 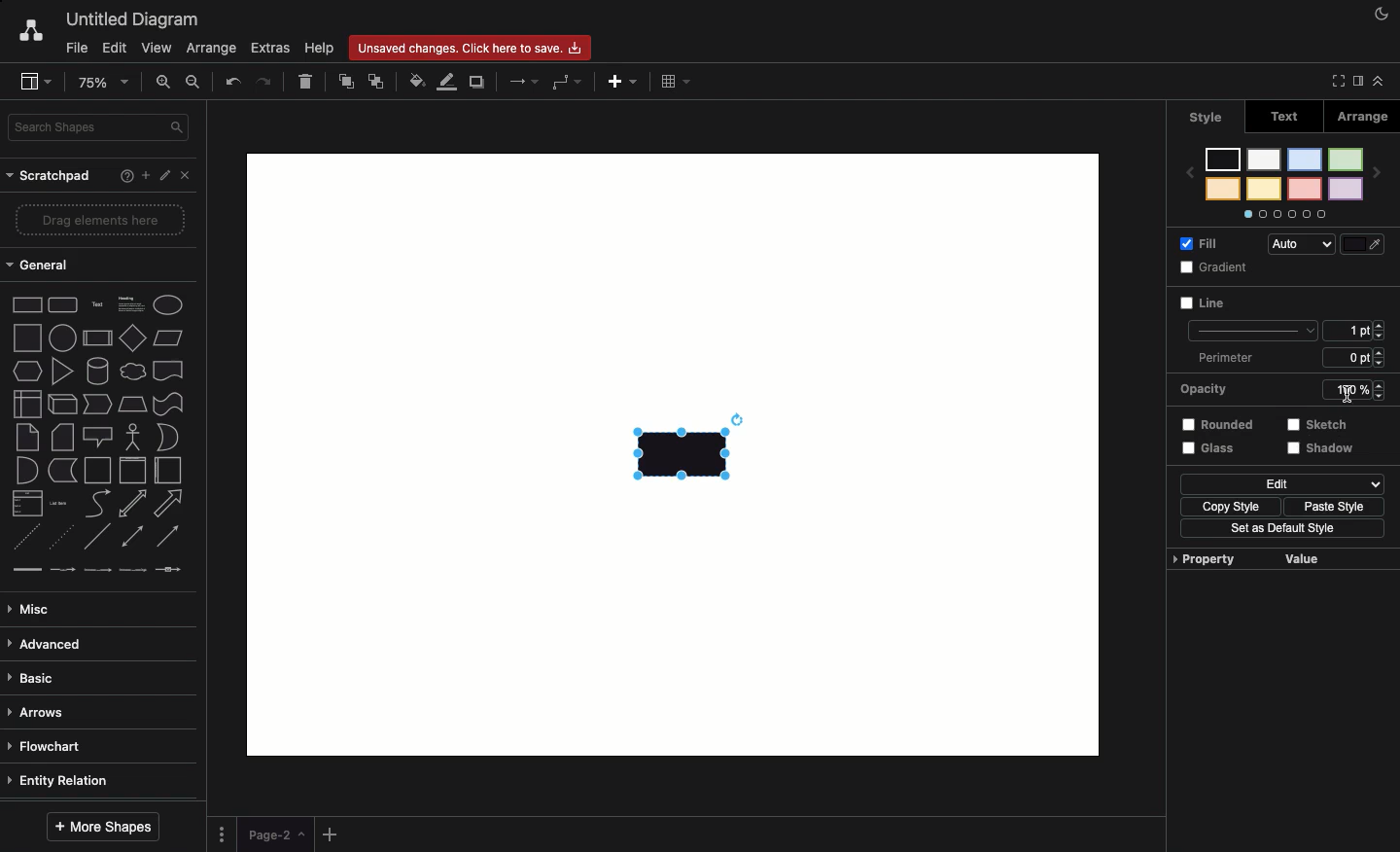 What do you see at coordinates (107, 826) in the screenshot?
I see `More shapes` at bounding box center [107, 826].